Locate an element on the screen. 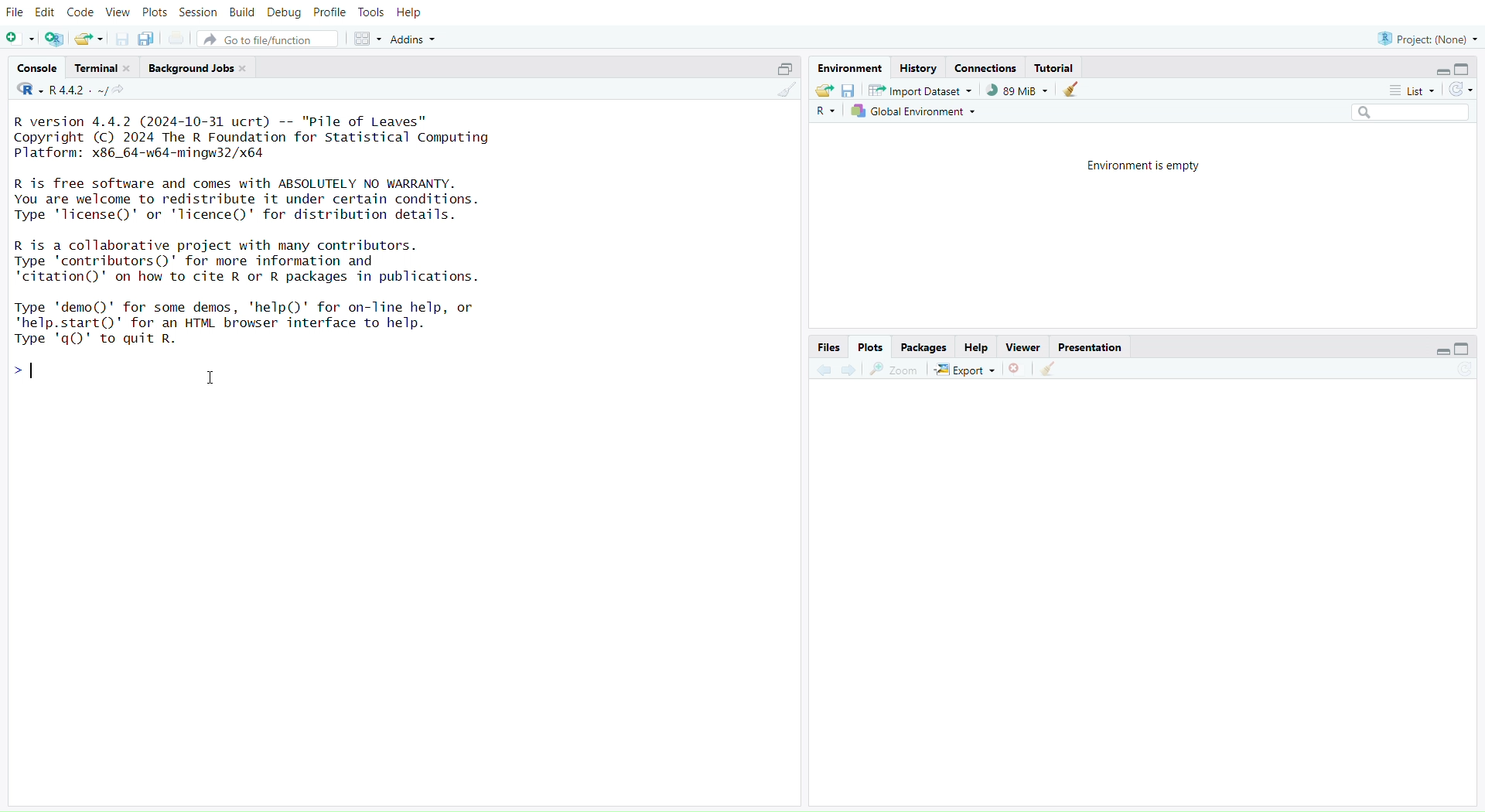  Current console (Ctrl + L) is located at coordinates (1074, 92).